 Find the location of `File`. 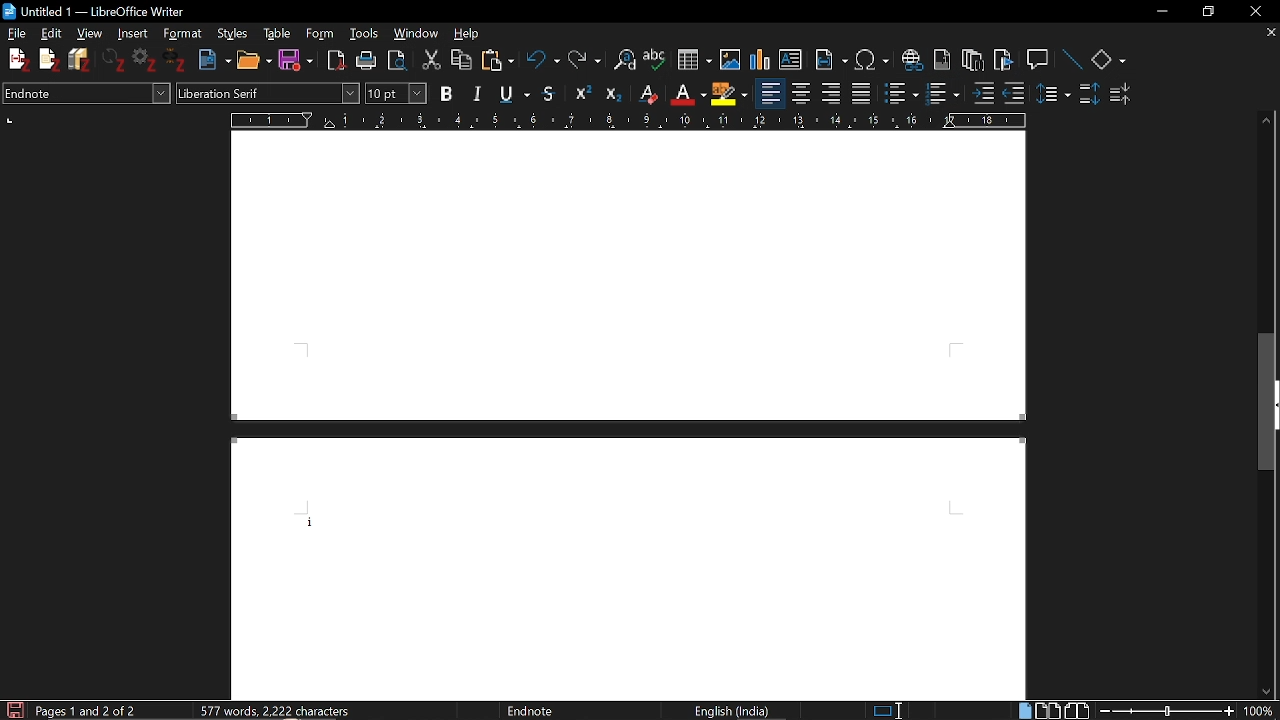

File is located at coordinates (16, 34).